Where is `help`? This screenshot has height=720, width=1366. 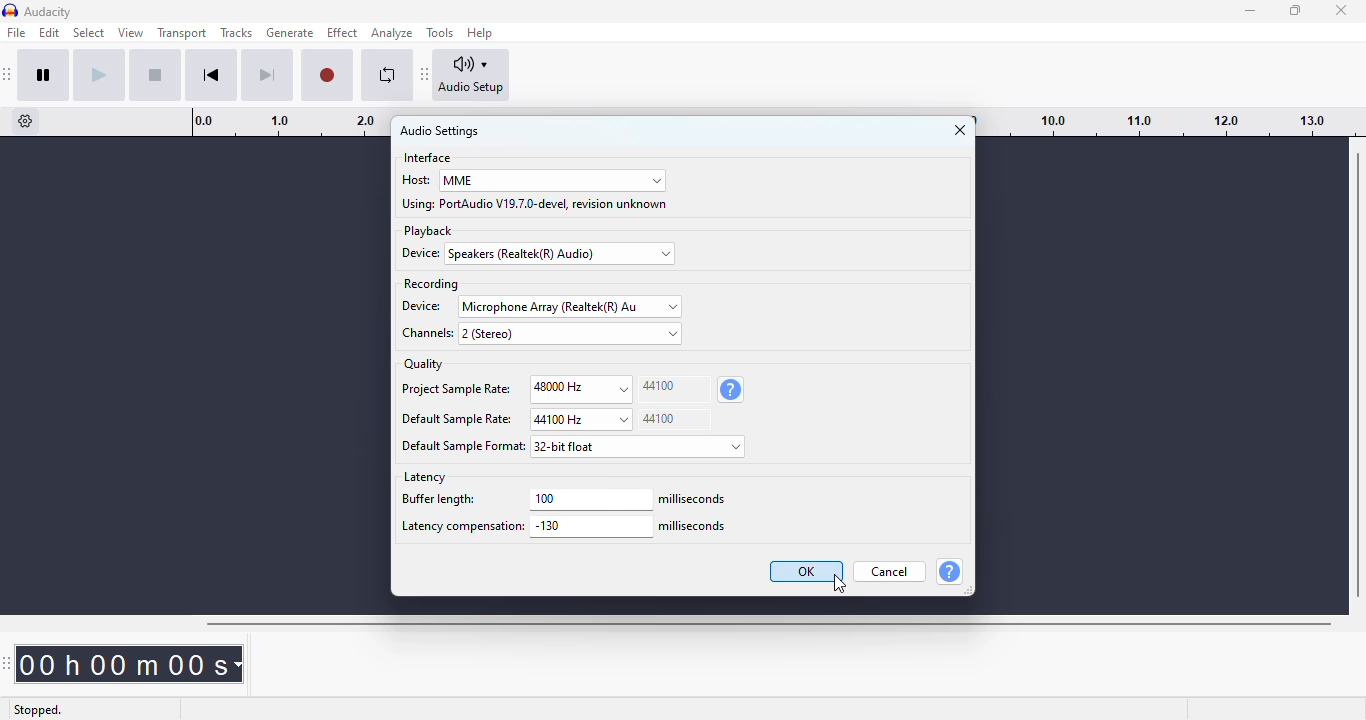
help is located at coordinates (949, 571).